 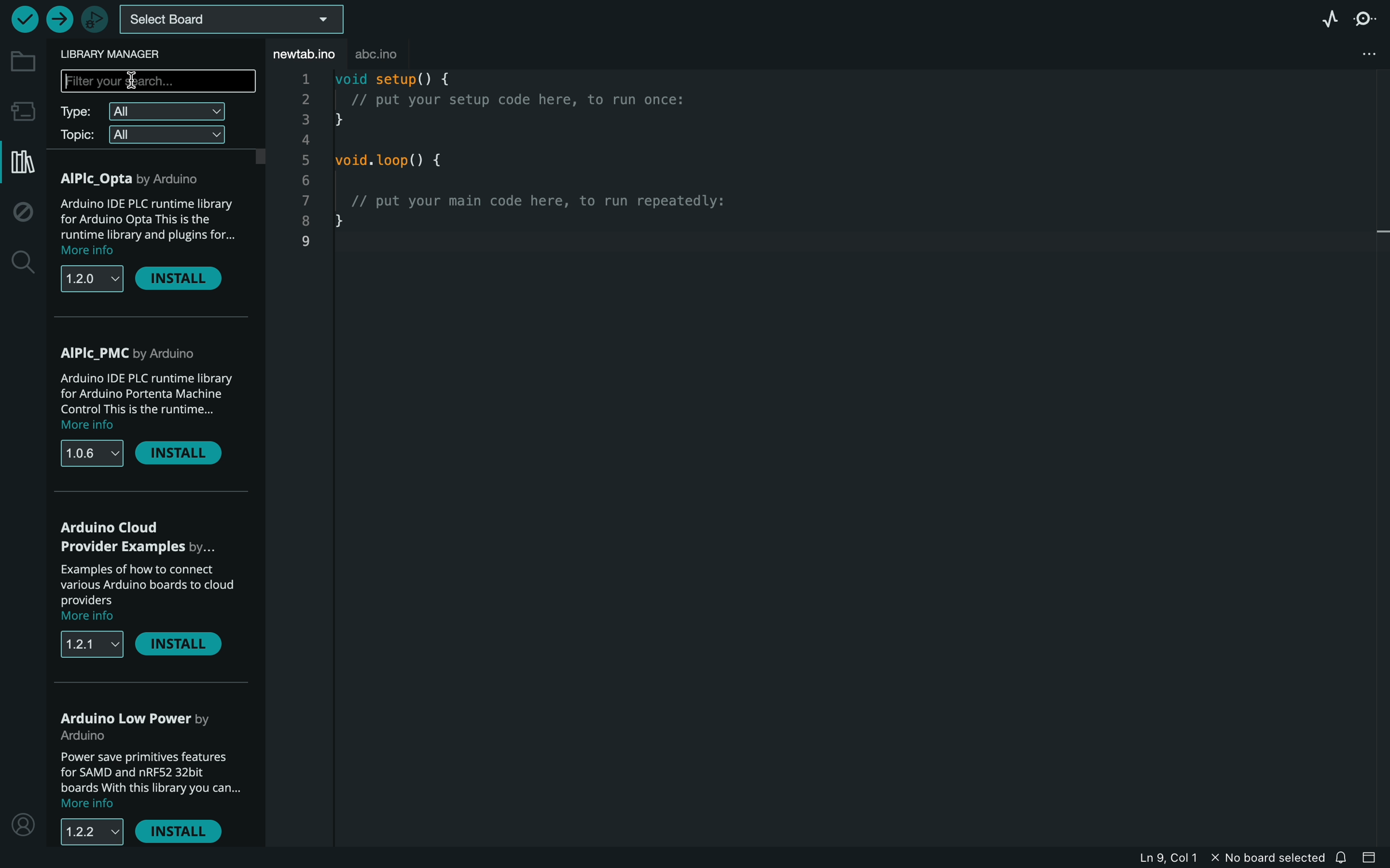 What do you see at coordinates (181, 832) in the screenshot?
I see `install` at bounding box center [181, 832].